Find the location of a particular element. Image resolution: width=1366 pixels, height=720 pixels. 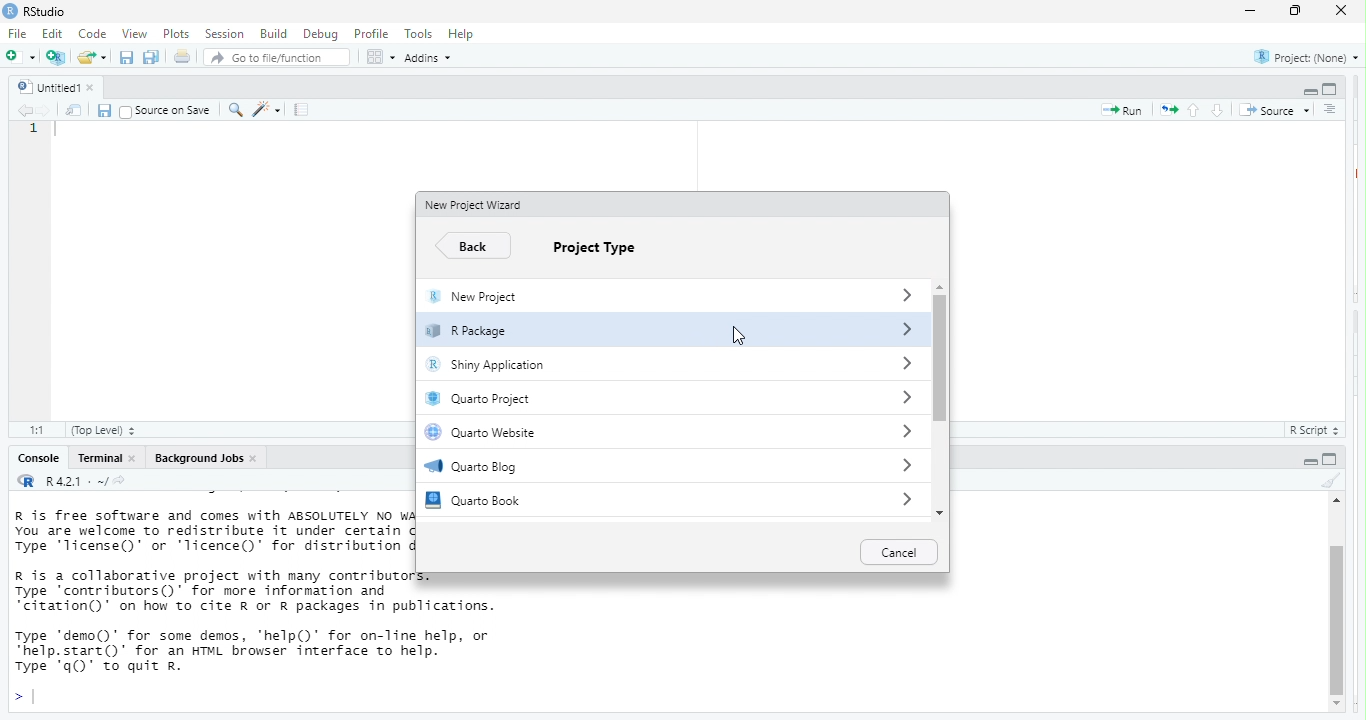

terminal is located at coordinates (100, 459).